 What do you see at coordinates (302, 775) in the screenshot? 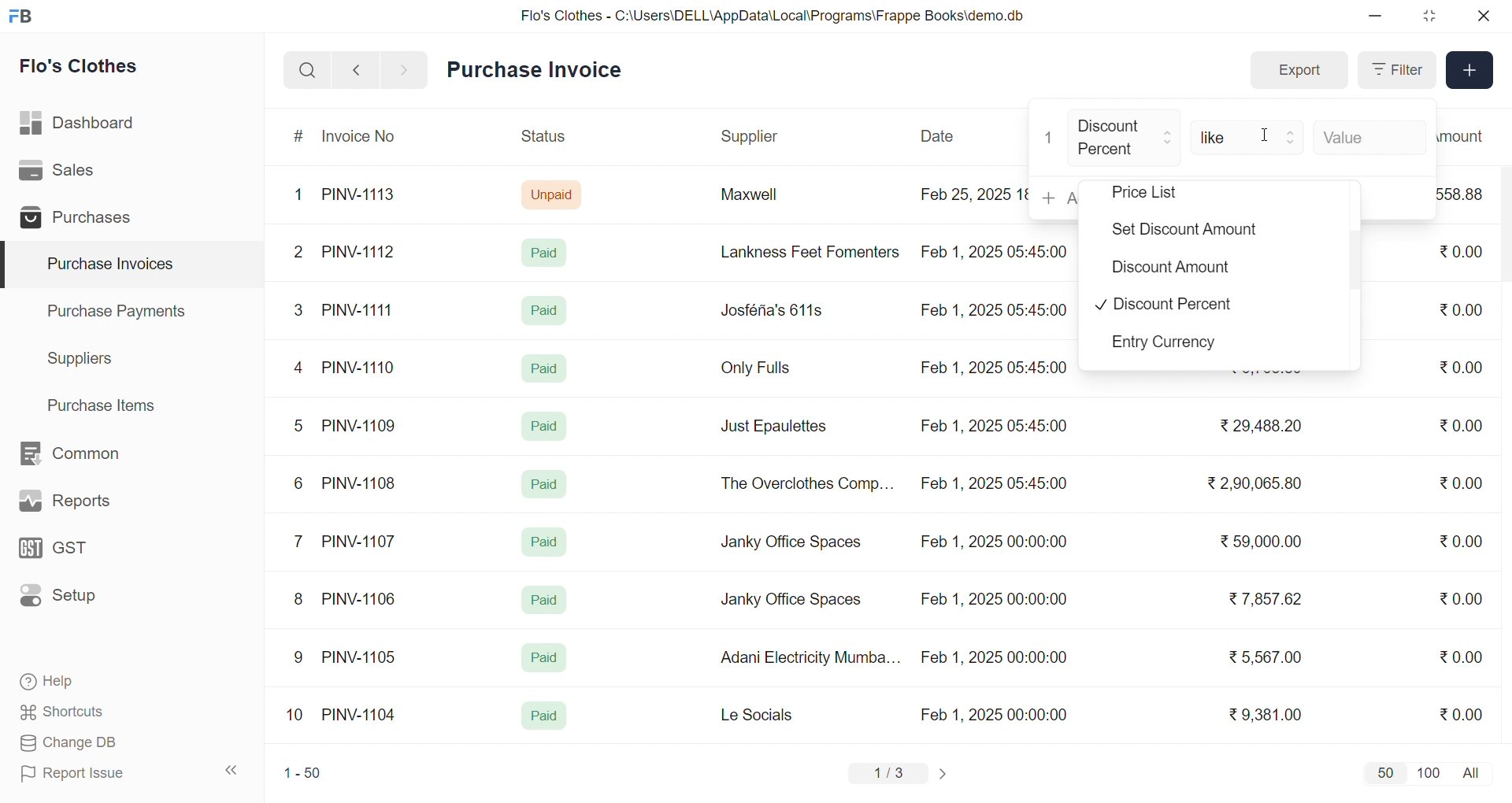
I see `1-50` at bounding box center [302, 775].